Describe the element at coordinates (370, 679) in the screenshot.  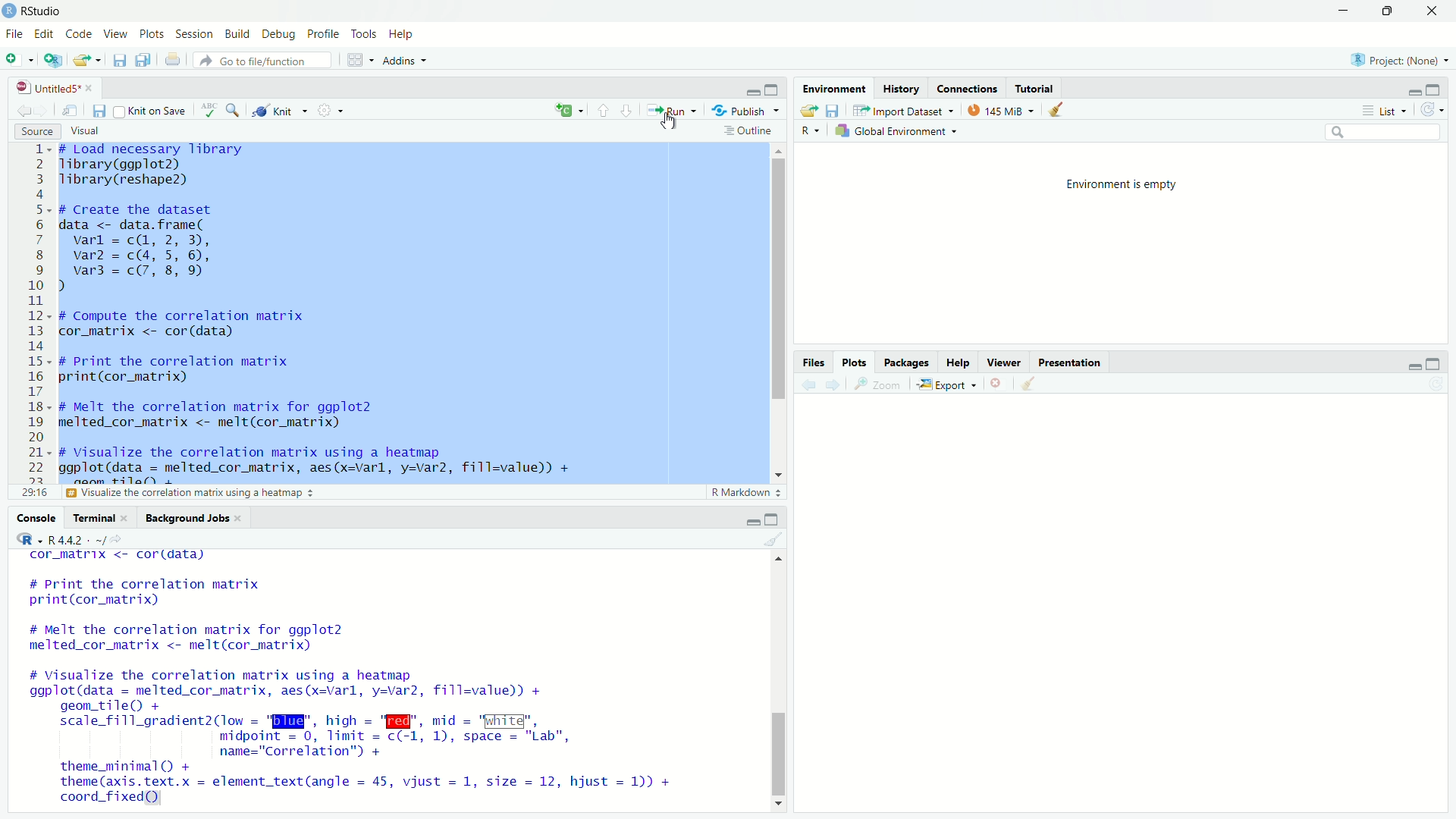
I see `cor_matrix <- cordidata)
# Print the correlation matrix
print(cor_matrix)
# Melt the correlation matrix for ggplot2
melted_cor_matrix <- melt(cor_matrix)
# Visualize the correlation matrix using a heatmap
ggplot(data = melted_cor_matrix, aes(x=varl, y=var2, fill=value)) +
geom_tile() +
scale_fill_gradient2(low = "BI", hich = "W@", mid = "White",
midpoint = 0, limit = c(-1, 1), space = "Lab",
name="Correlation") +
theme_minimal() +
theme (axis. text.x = element_text(angle = 45, vijust = 1, size = 12, hjust = 1)) +
coord_fixed)` at that location.